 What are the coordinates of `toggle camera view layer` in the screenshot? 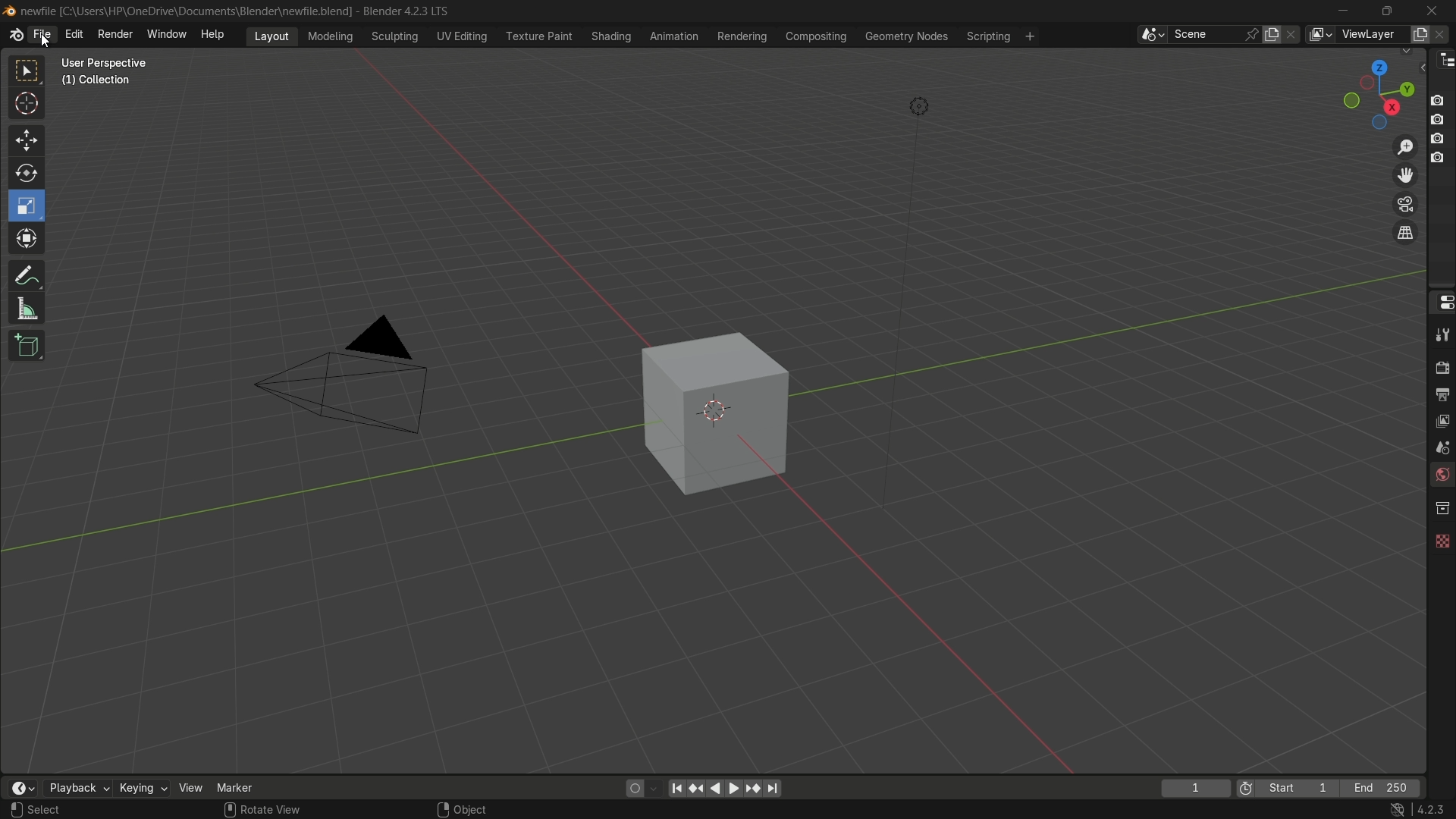 It's located at (1405, 202).